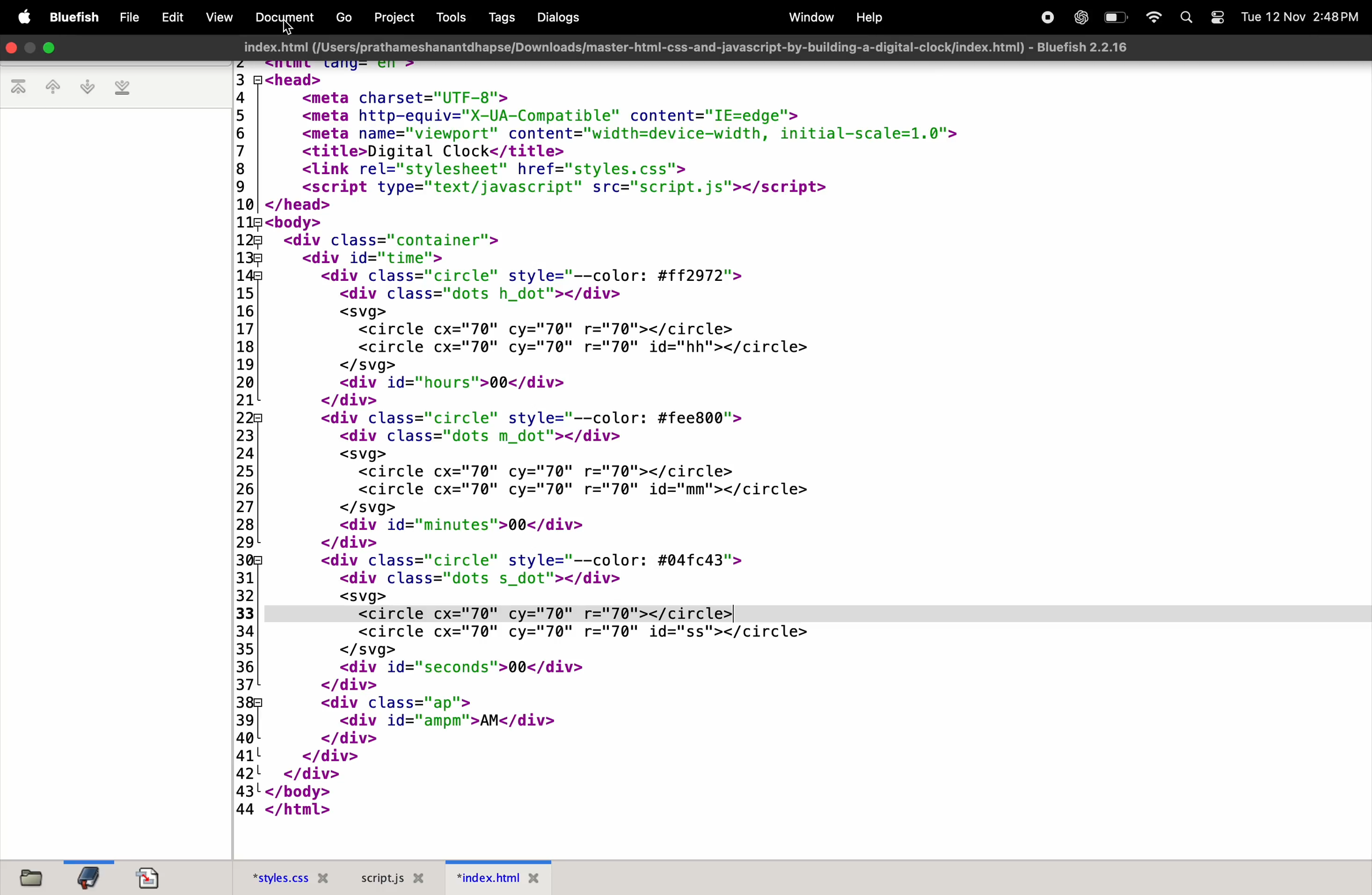  I want to click on apple menu, so click(17, 16).